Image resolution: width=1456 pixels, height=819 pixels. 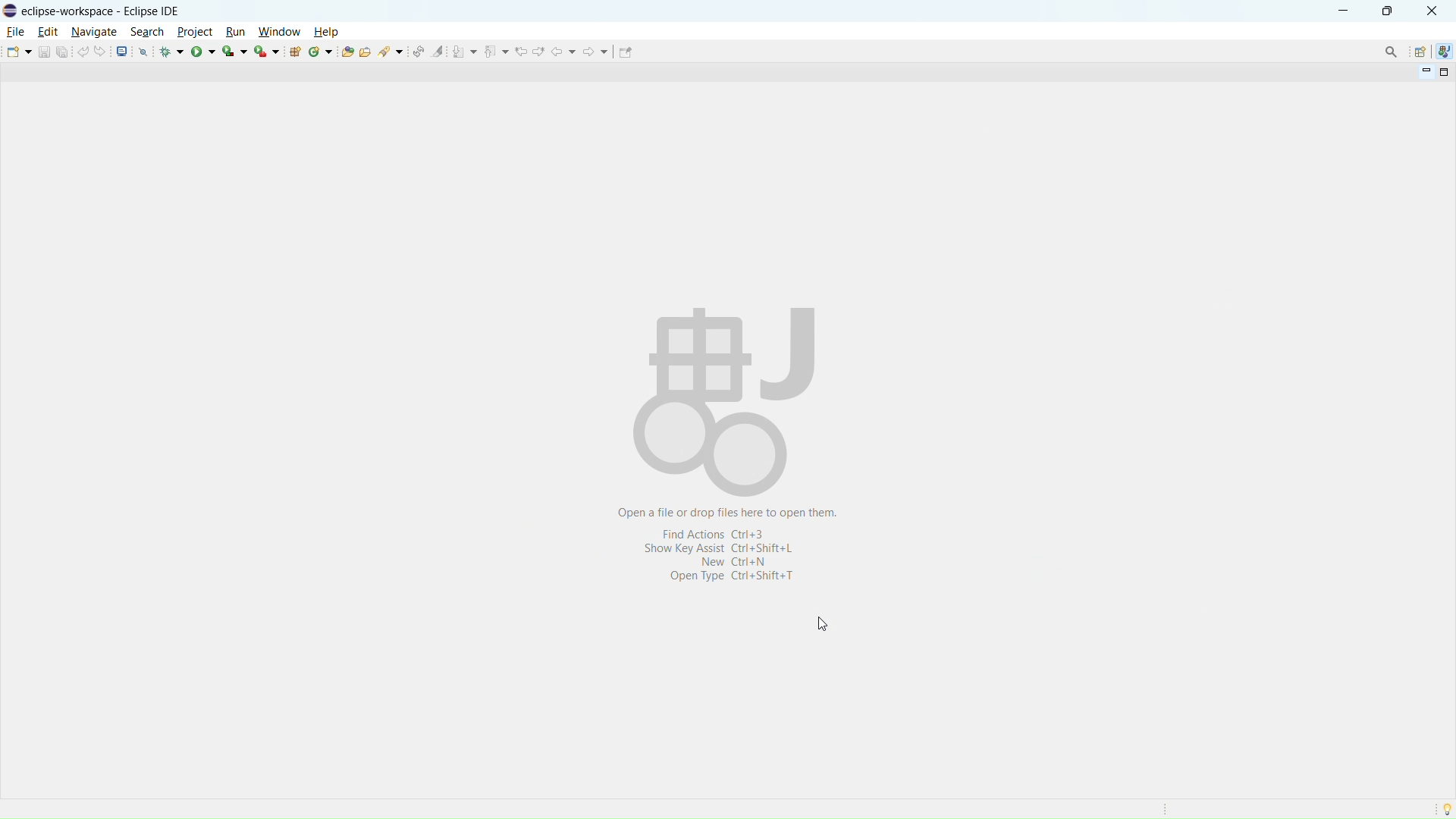 What do you see at coordinates (1445, 72) in the screenshot?
I see `maximize view` at bounding box center [1445, 72].